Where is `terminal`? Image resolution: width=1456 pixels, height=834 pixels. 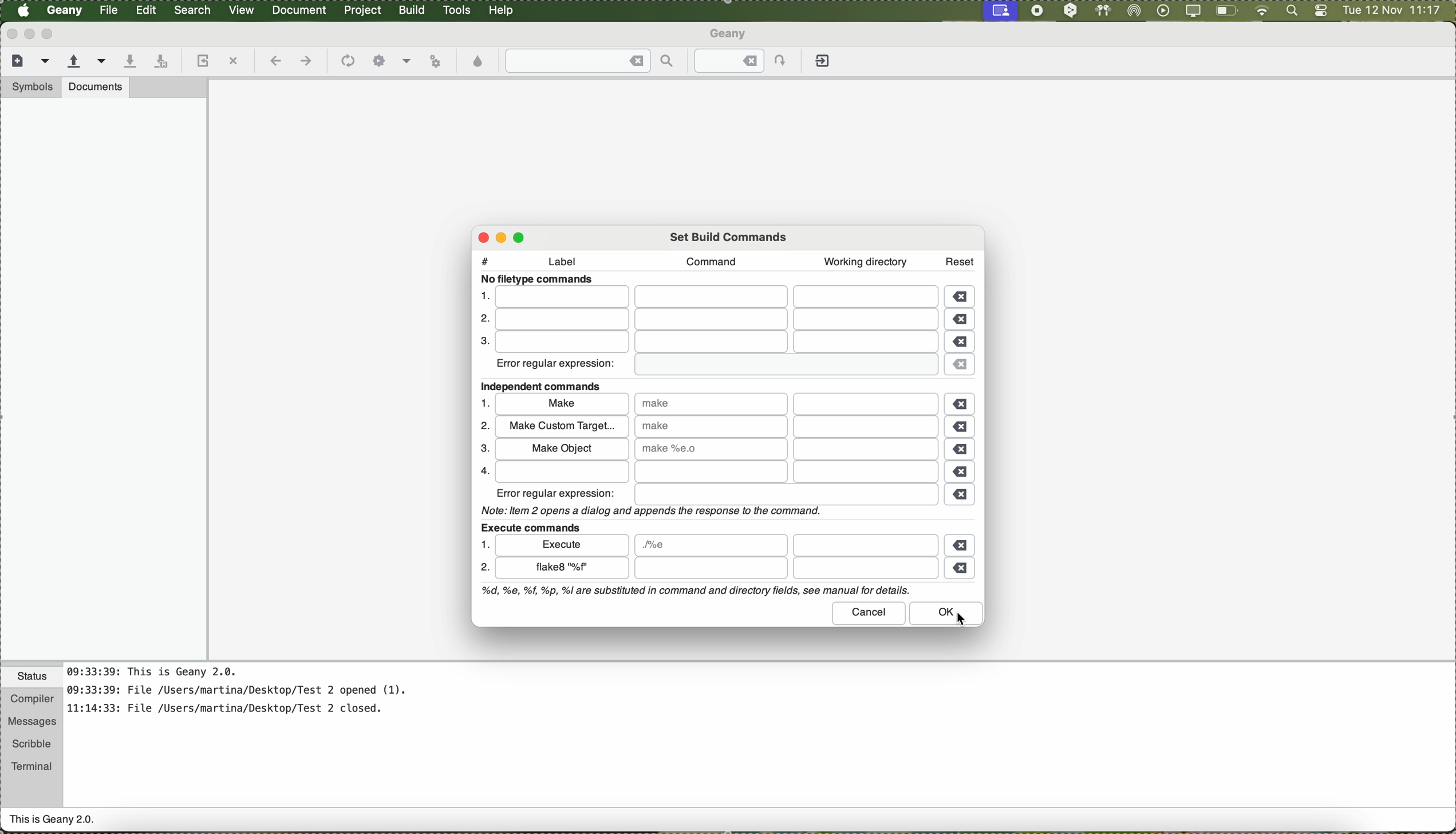
terminal is located at coordinates (32, 764).